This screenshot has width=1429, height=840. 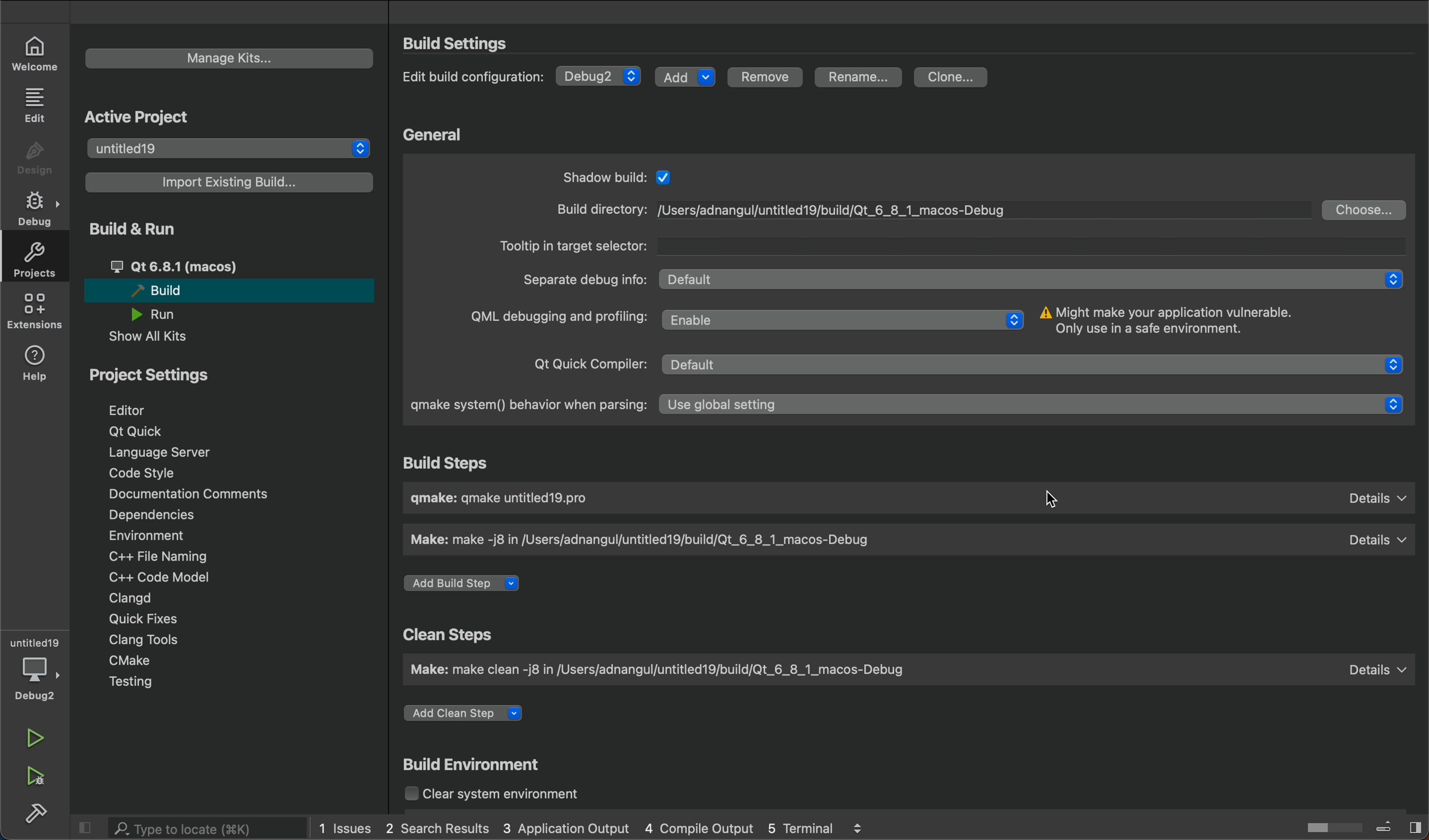 I want to click on might make your application vulnerable only use in a safe environment., so click(x=1190, y=323).